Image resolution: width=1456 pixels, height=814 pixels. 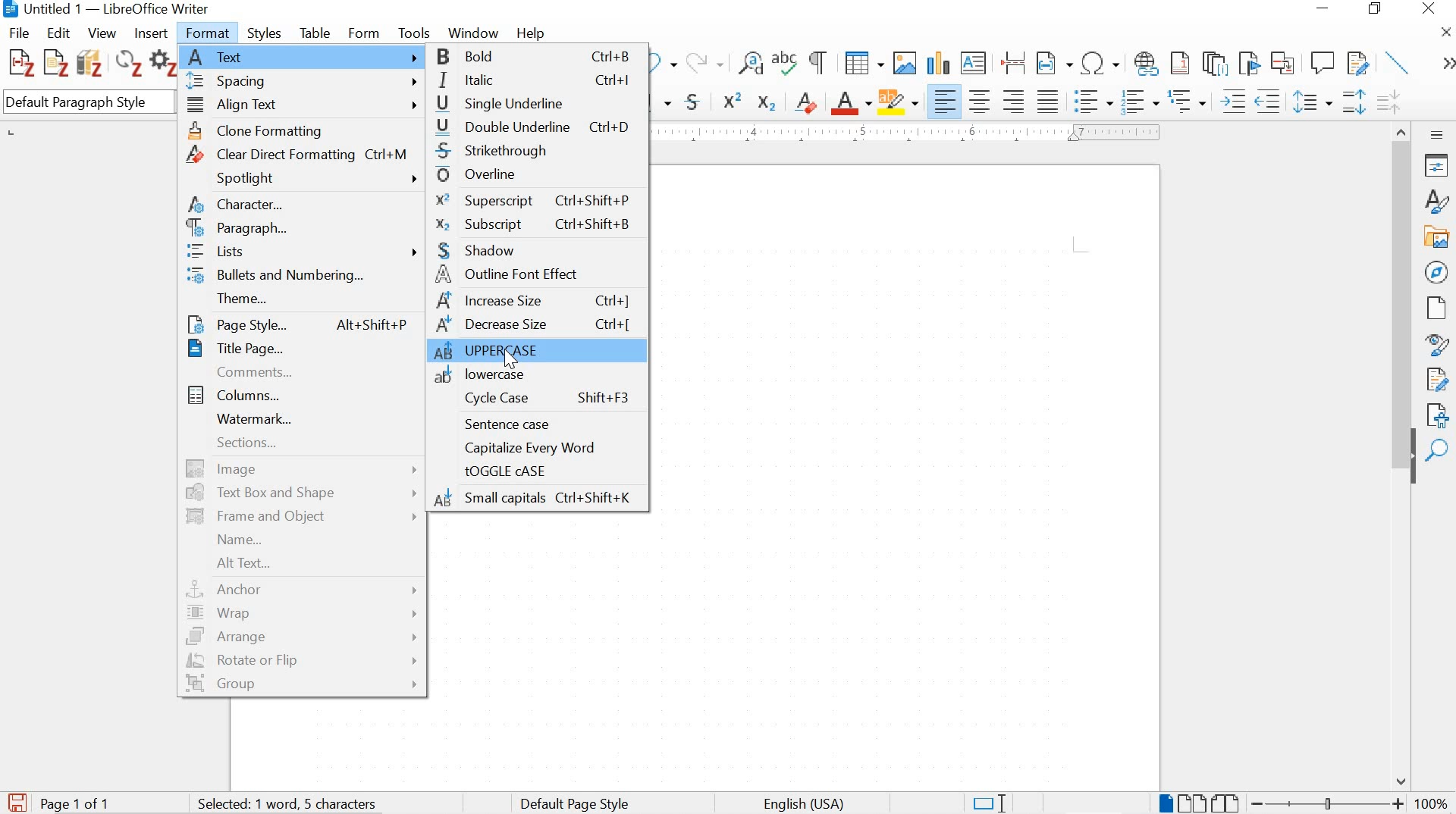 I want to click on gallery, so click(x=1438, y=236).